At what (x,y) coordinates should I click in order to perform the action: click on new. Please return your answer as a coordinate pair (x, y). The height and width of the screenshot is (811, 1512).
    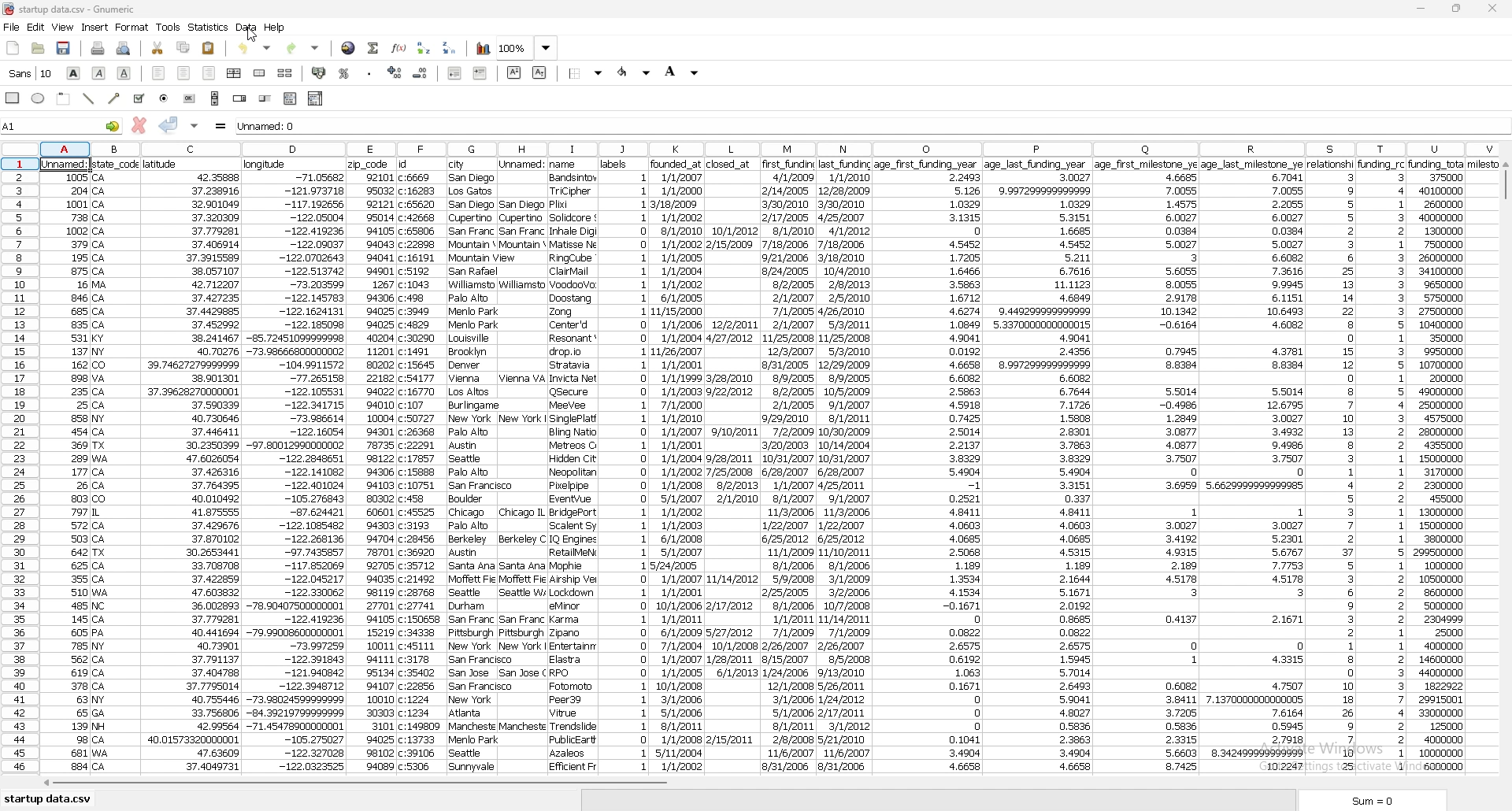
    Looking at the image, I should click on (13, 49).